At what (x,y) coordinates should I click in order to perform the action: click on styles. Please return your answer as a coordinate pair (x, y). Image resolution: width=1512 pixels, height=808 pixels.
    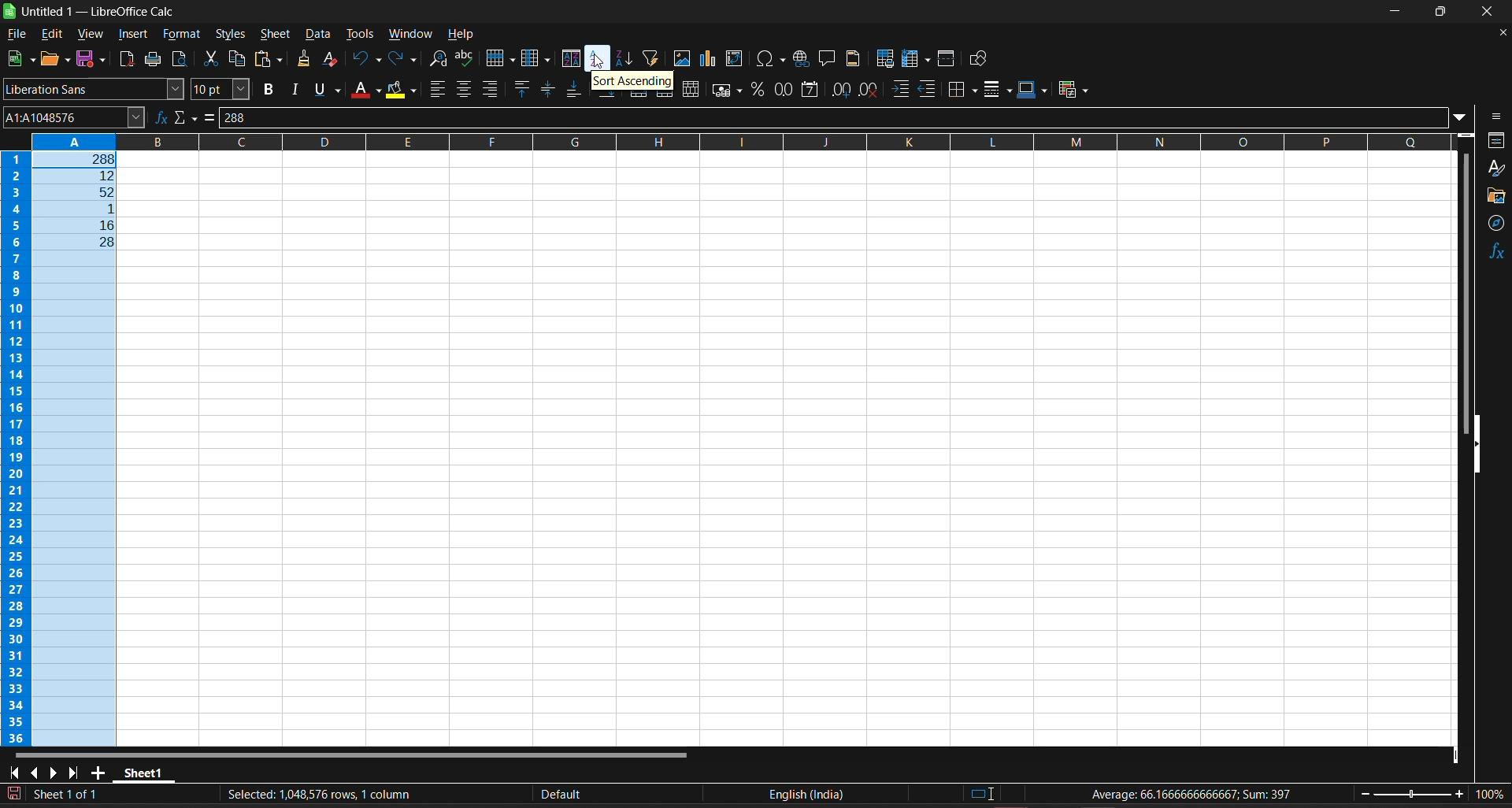
    Looking at the image, I should click on (1497, 169).